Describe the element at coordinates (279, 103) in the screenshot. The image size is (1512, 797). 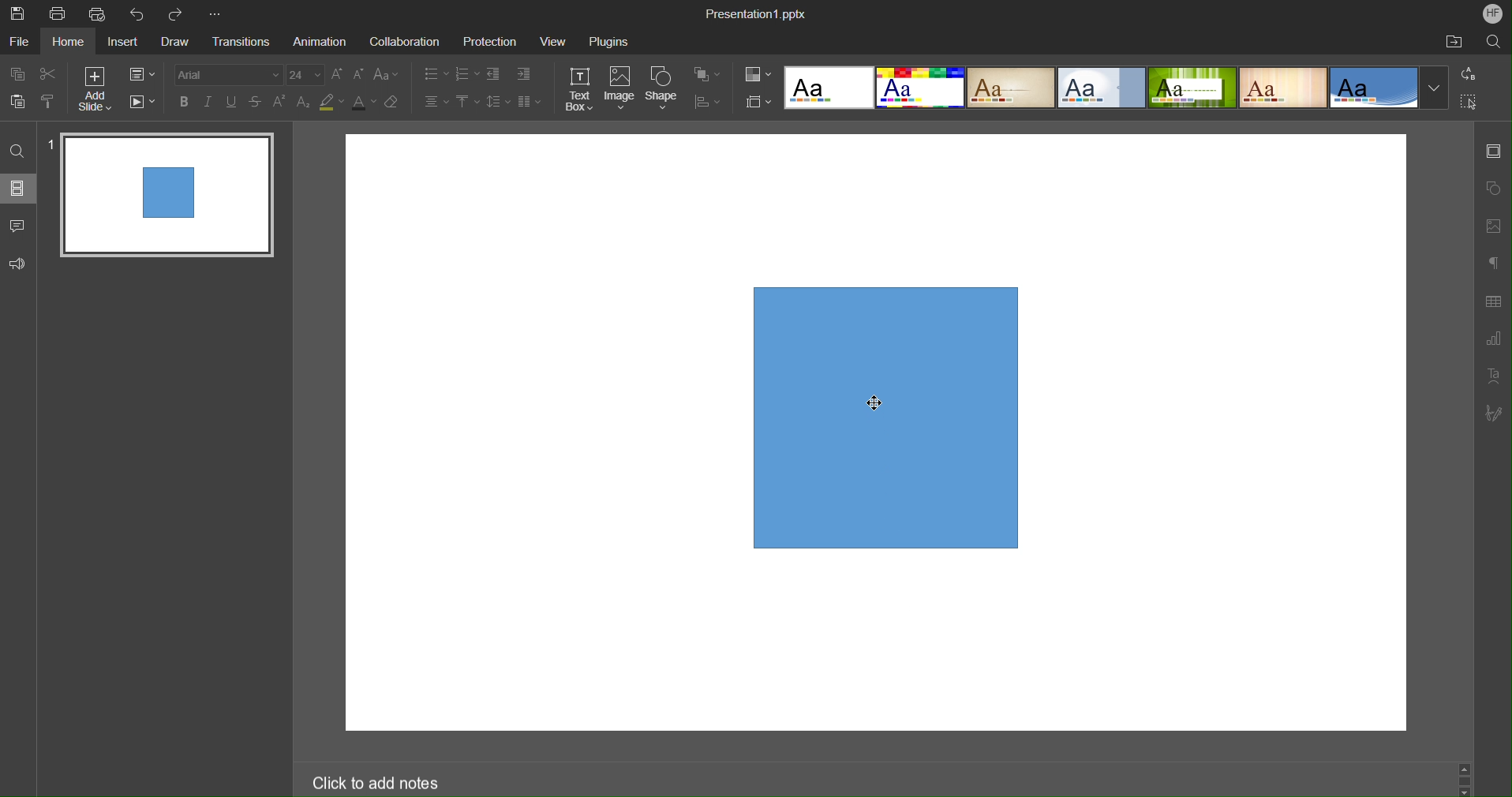
I see `Superscript` at that location.